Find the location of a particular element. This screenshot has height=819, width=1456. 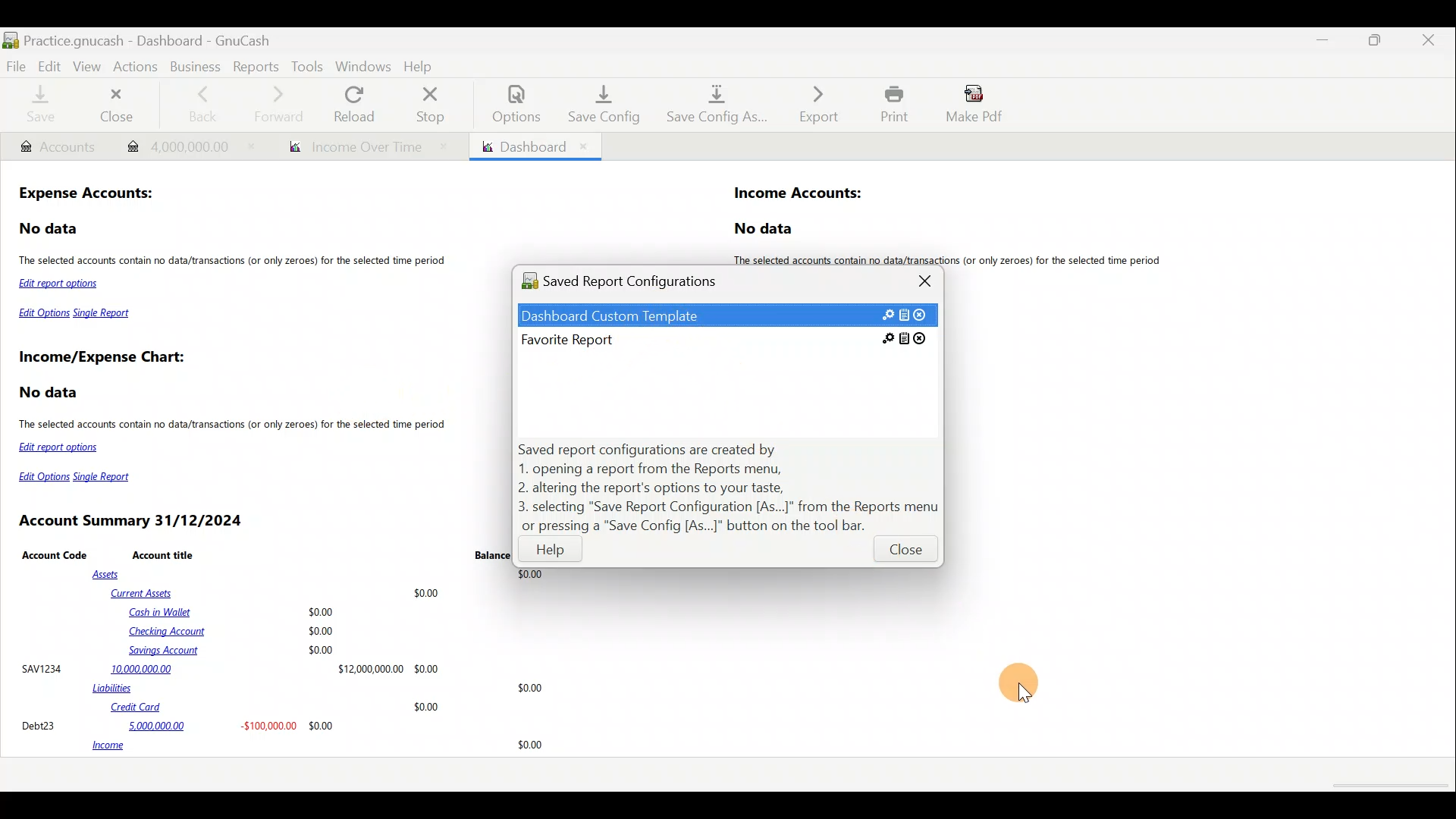

Close is located at coordinates (1429, 42).